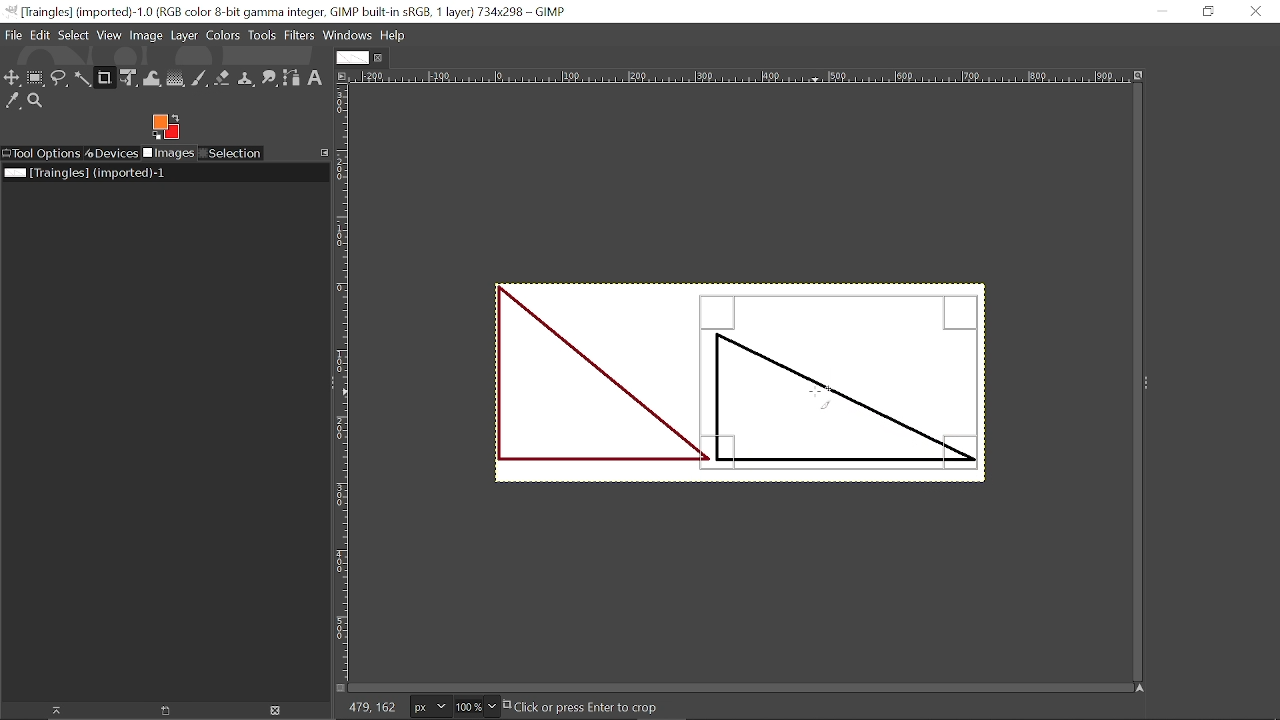  Describe the element at coordinates (491, 707) in the screenshot. I see `Zoom options` at that location.